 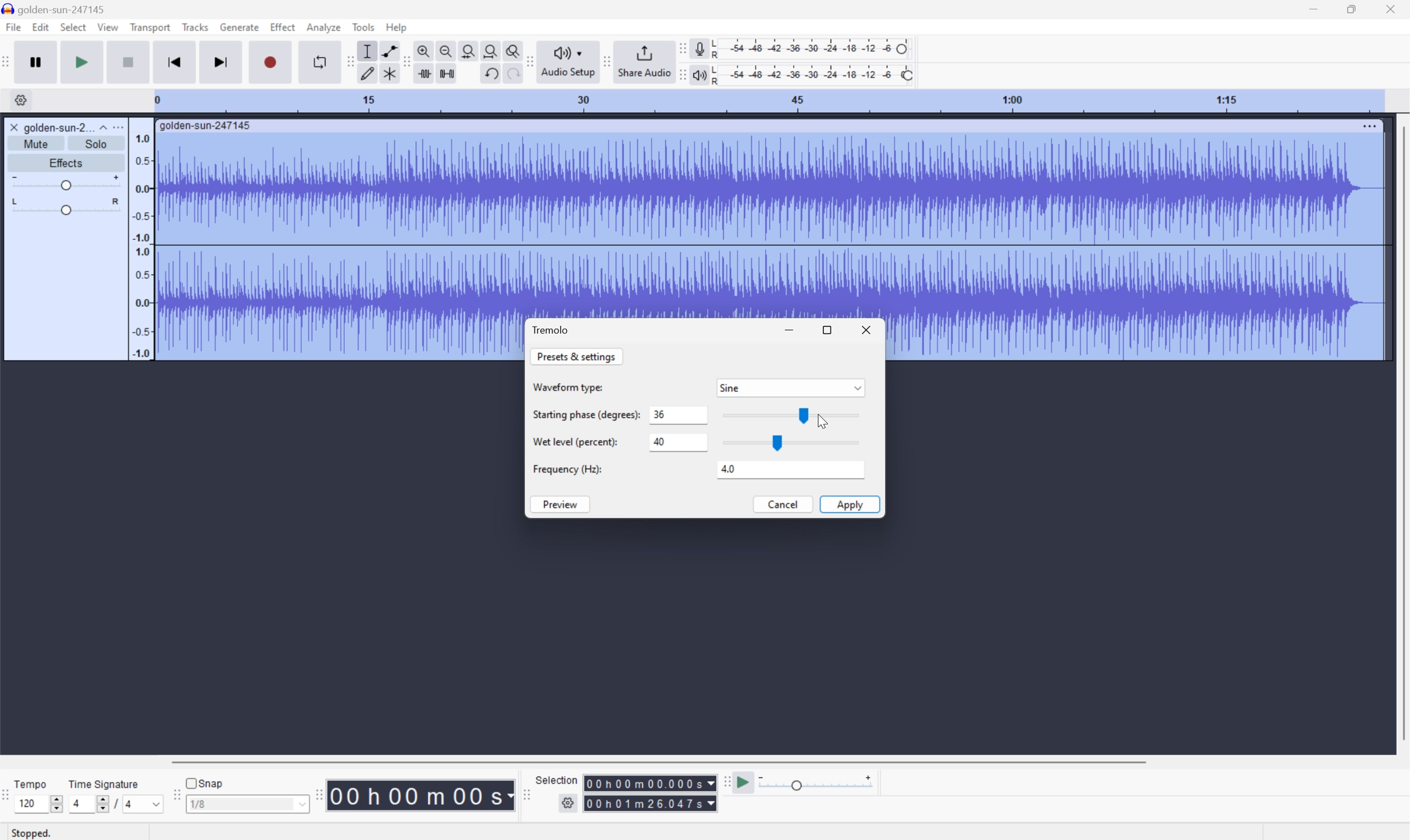 I want to click on Settings, so click(x=567, y=804).